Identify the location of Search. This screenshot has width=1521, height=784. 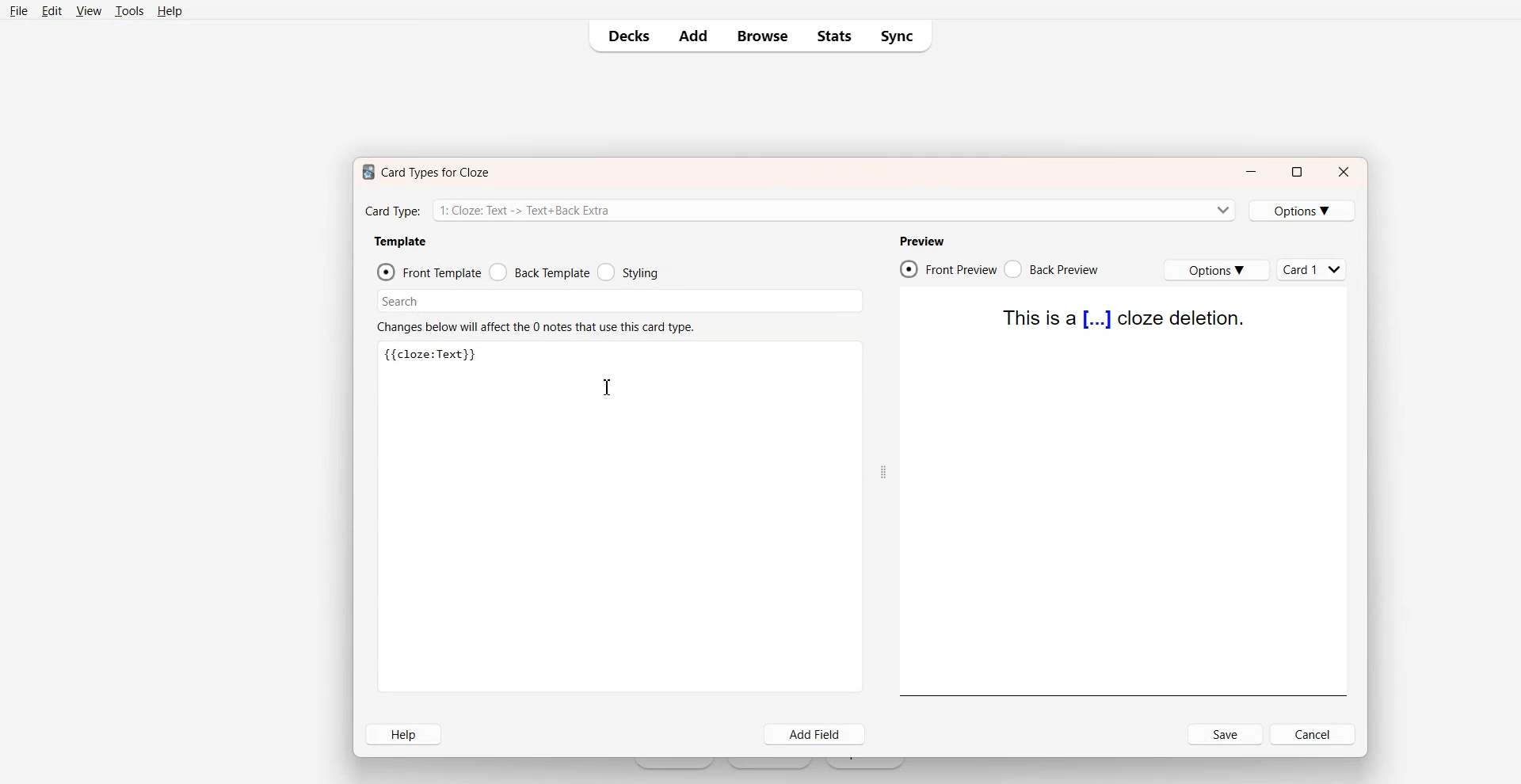
(621, 301).